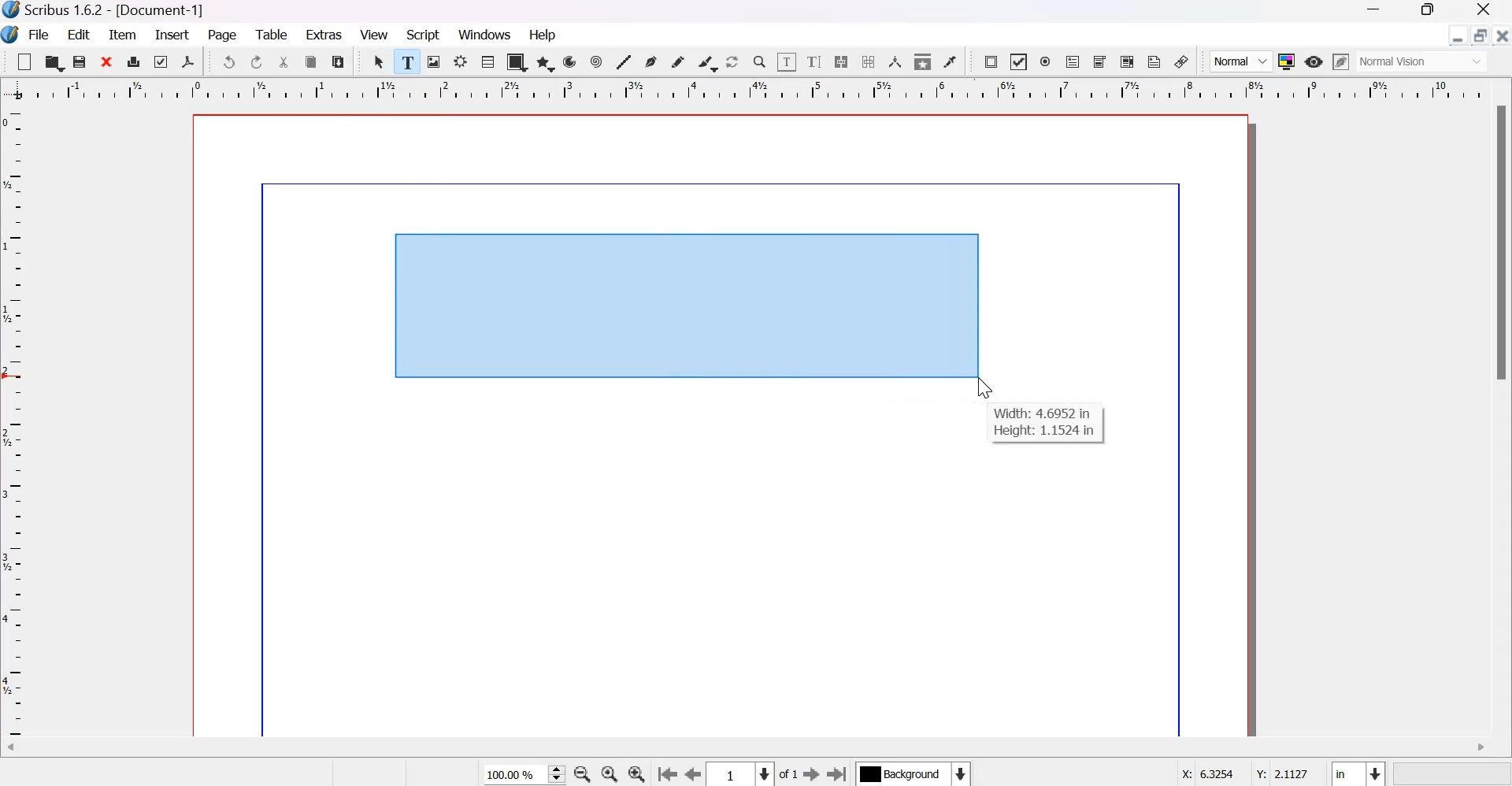 The image size is (1512, 786). Describe the element at coordinates (461, 61) in the screenshot. I see `render frame` at that location.